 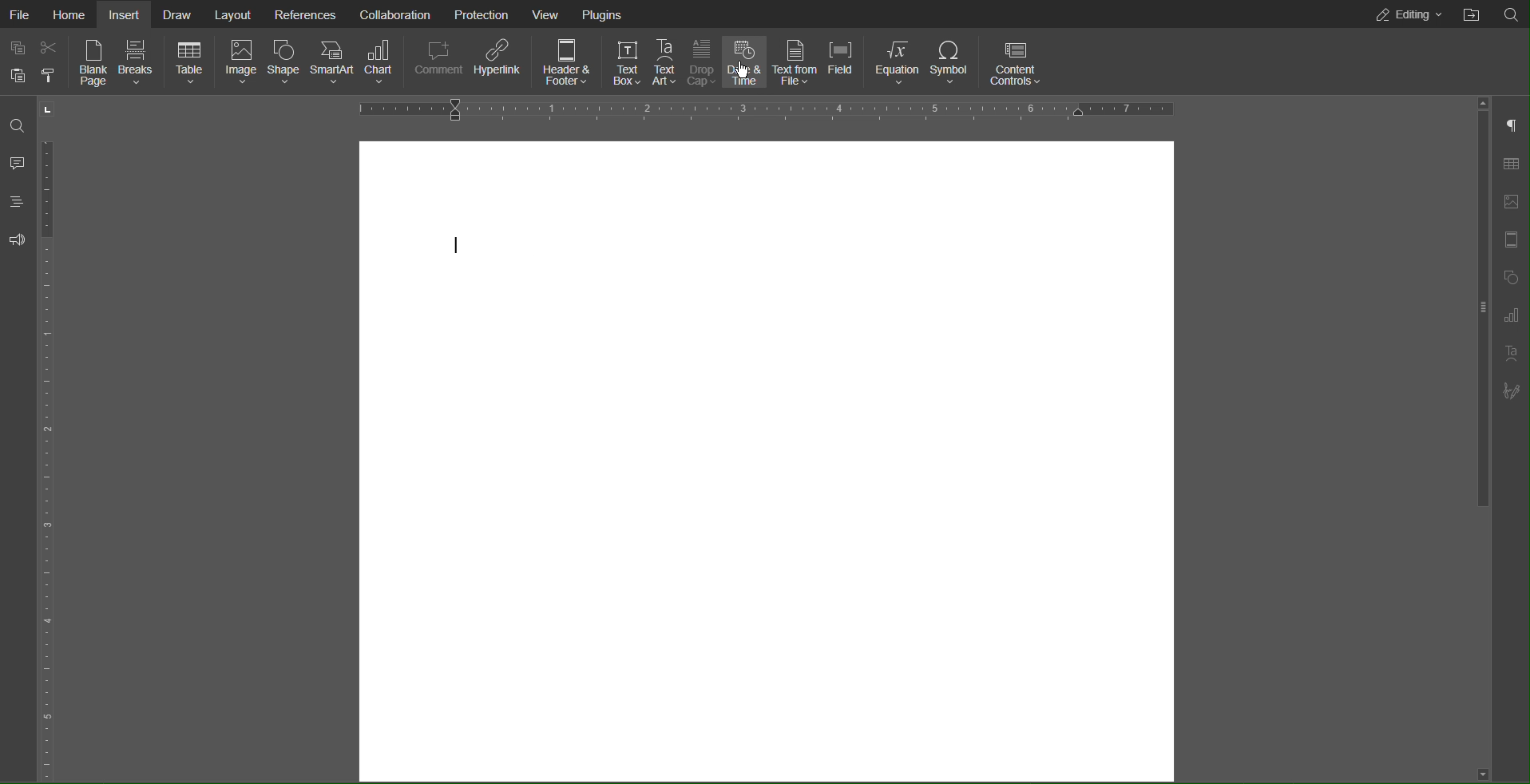 I want to click on Breaks, so click(x=141, y=63).